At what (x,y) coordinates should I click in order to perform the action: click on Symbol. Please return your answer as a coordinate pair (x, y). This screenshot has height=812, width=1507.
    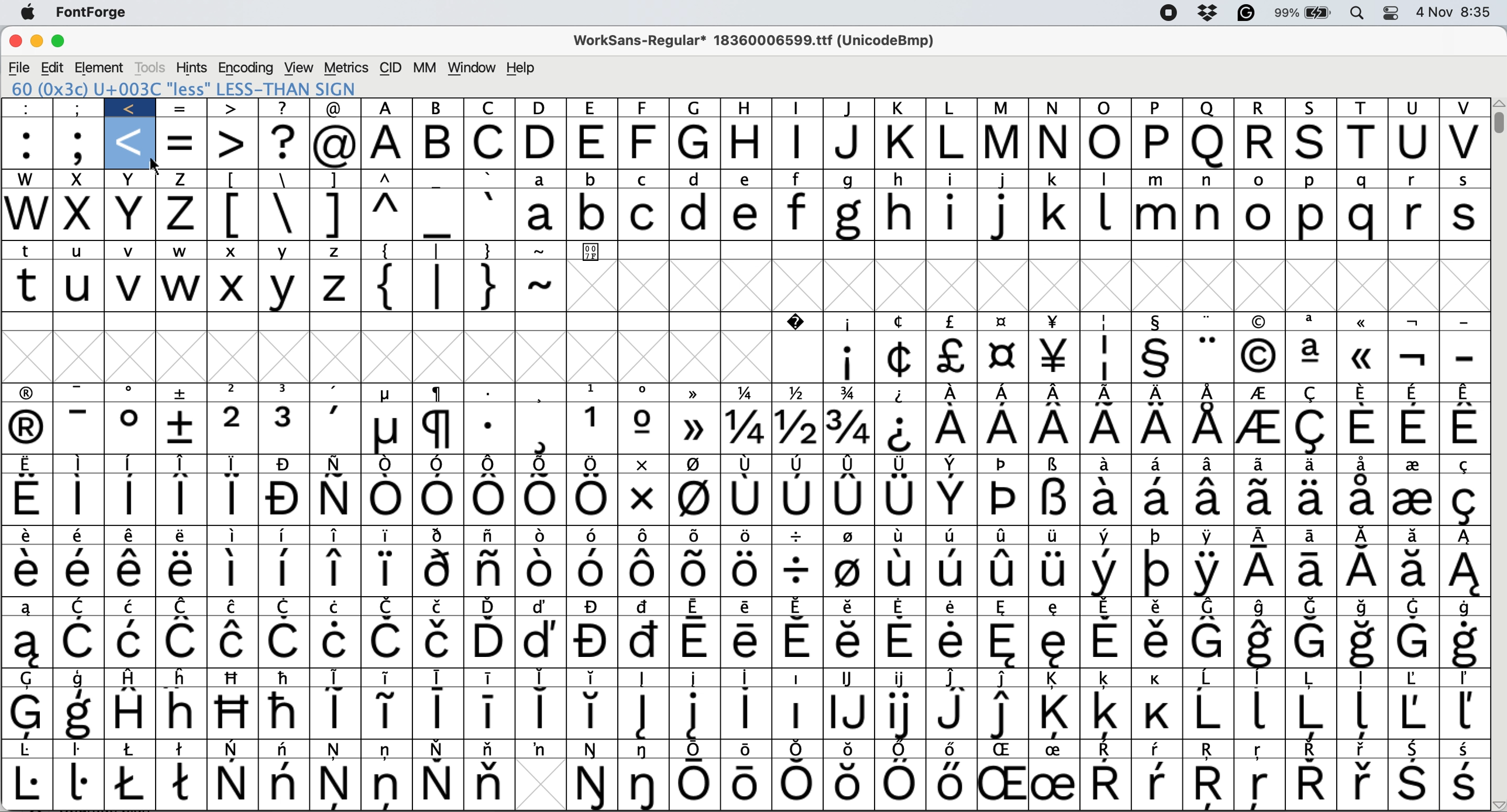
    Looking at the image, I should click on (182, 391).